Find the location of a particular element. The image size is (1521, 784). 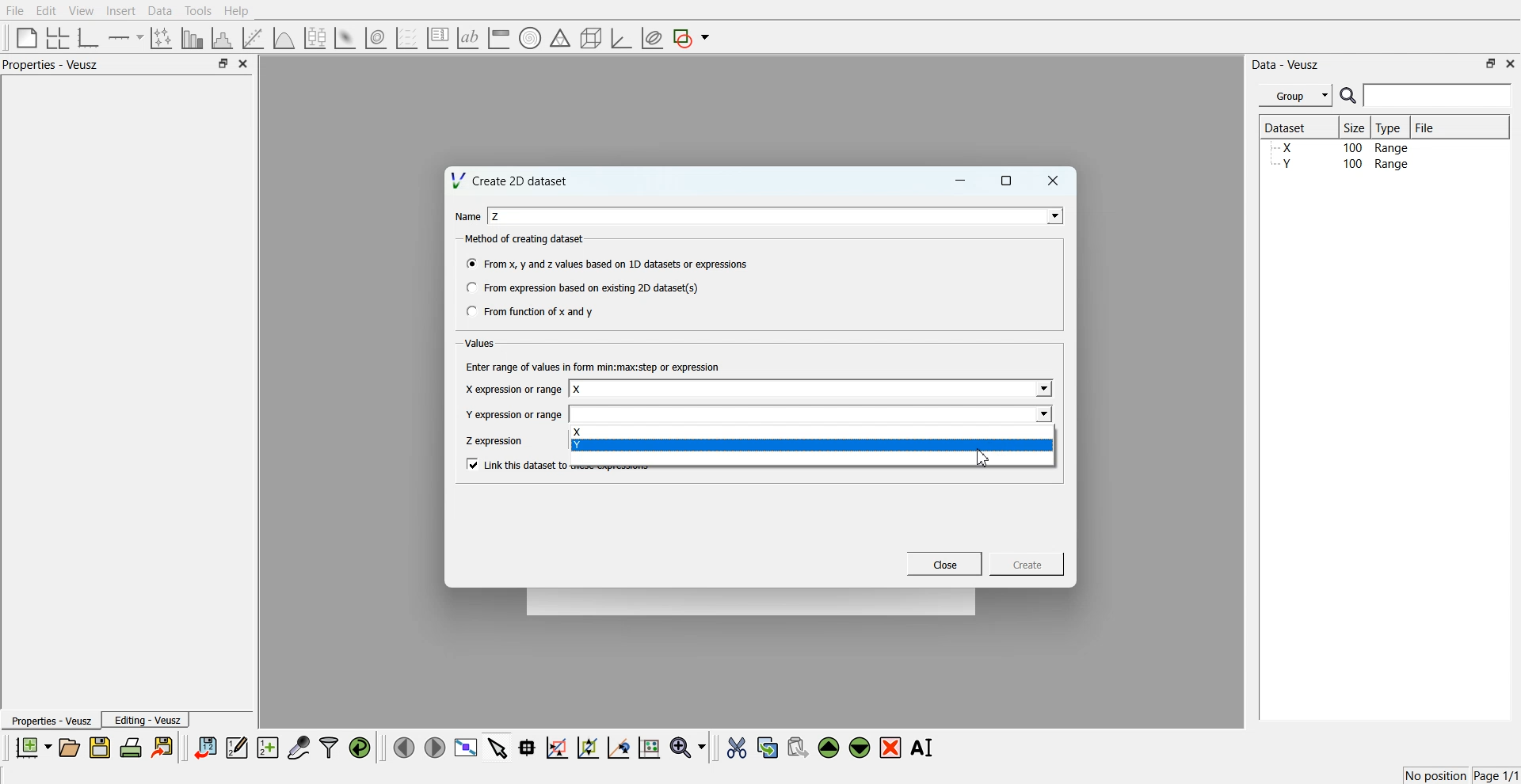

Move down the selected widget is located at coordinates (860, 748).